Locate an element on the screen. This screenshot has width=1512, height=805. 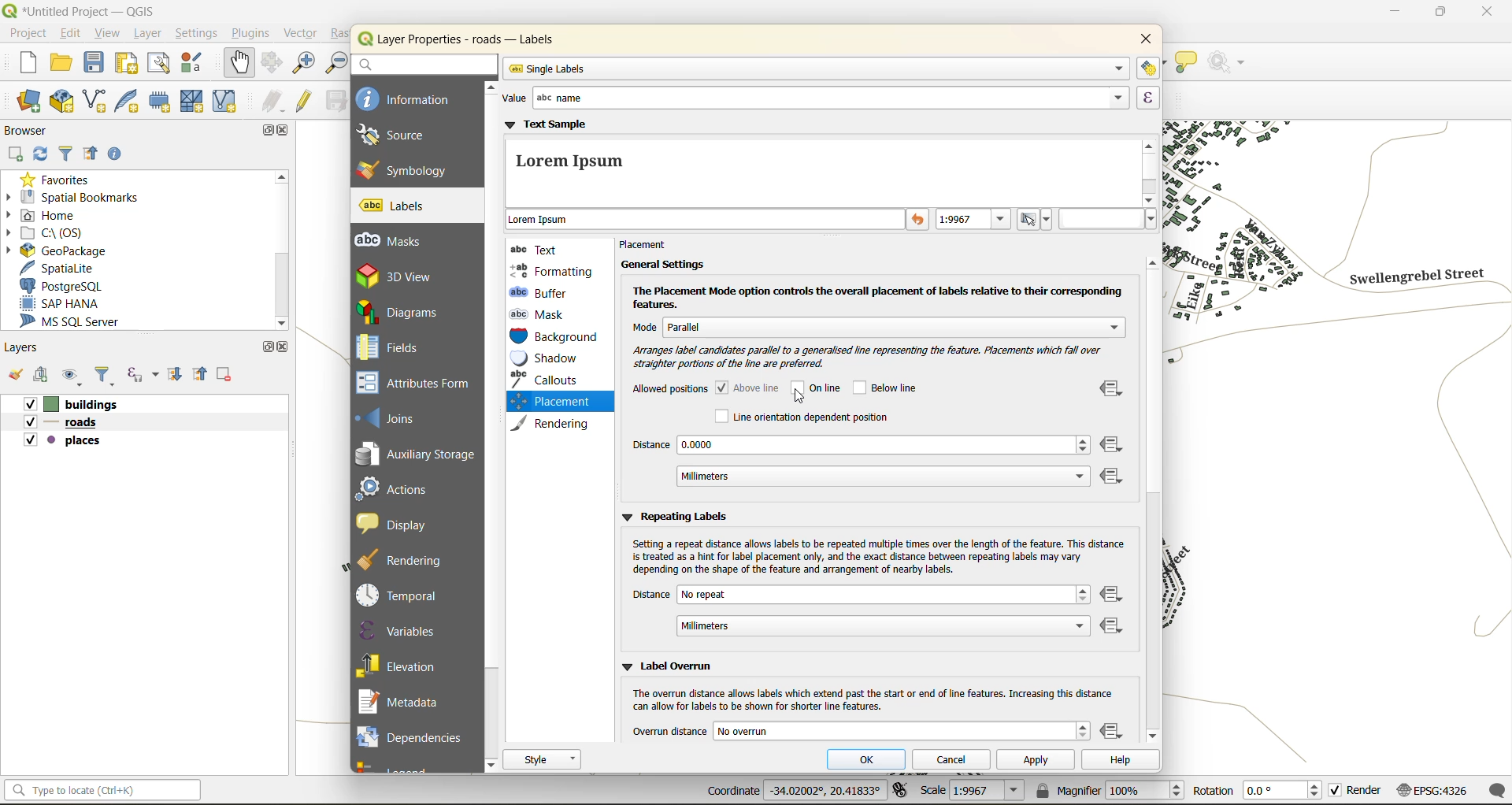
mode is located at coordinates (880, 327).